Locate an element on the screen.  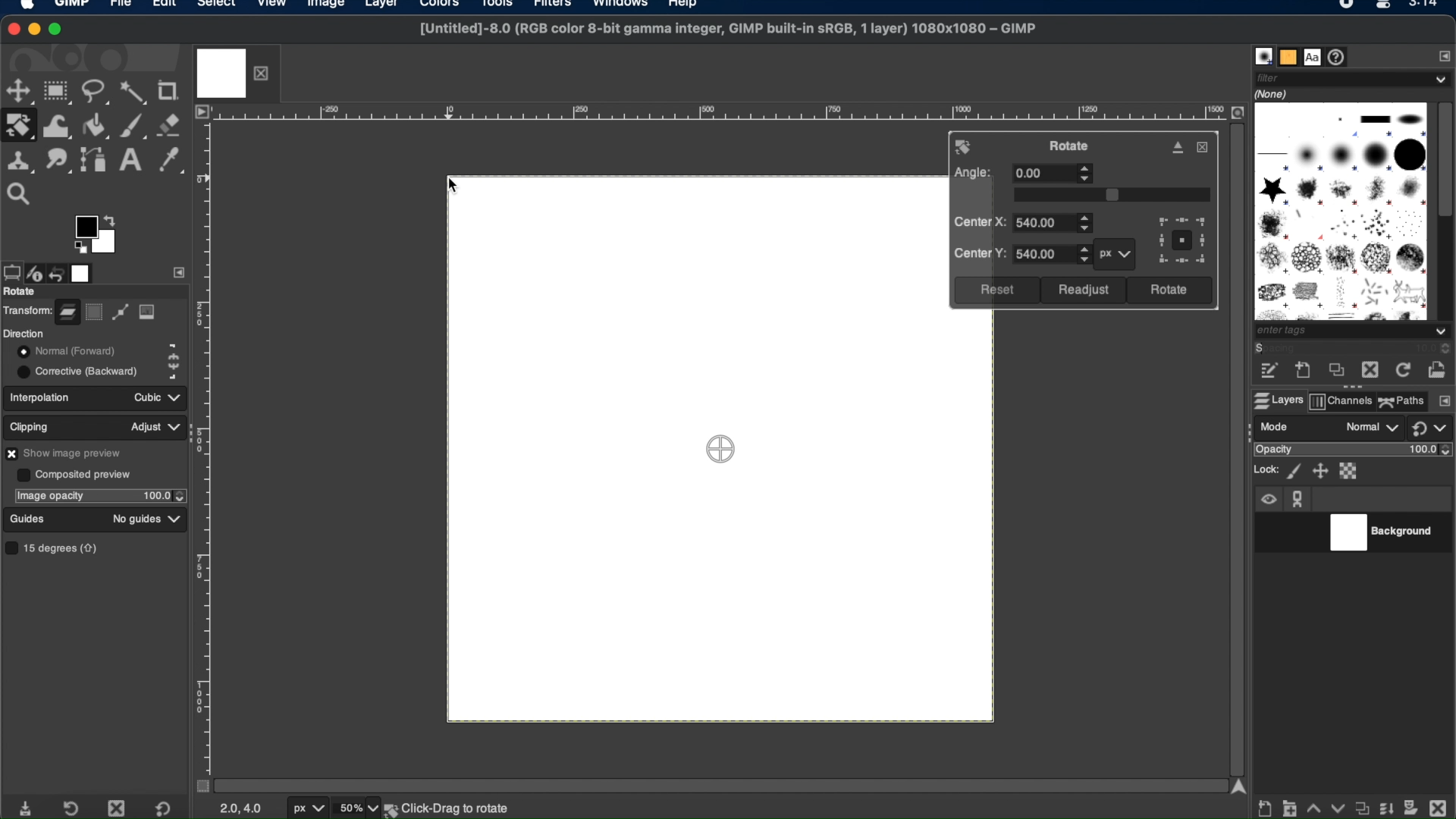
images is located at coordinates (83, 272).